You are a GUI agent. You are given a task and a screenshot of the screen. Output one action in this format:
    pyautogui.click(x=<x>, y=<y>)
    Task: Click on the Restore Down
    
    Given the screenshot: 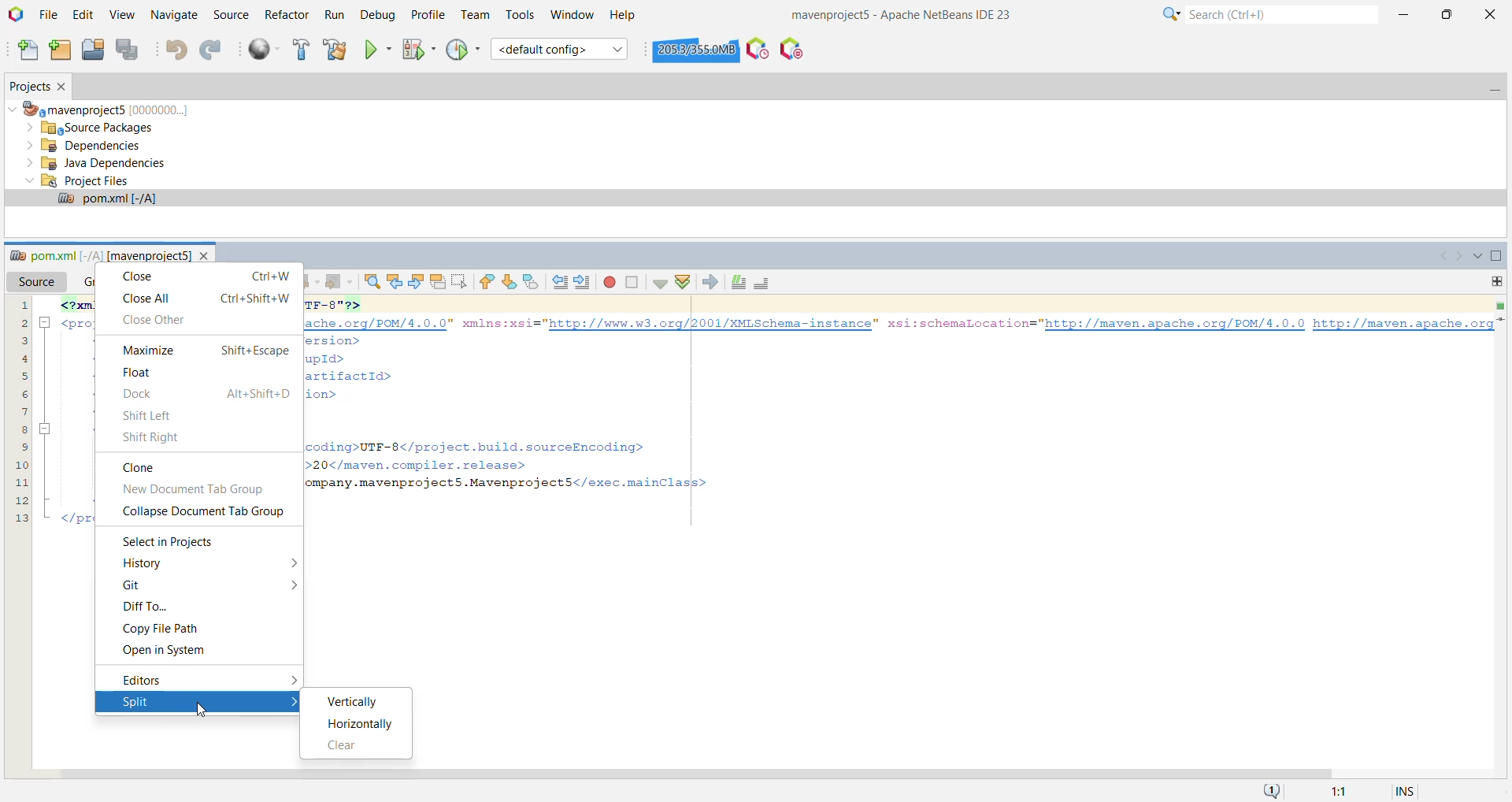 What is the action you would take?
    pyautogui.click(x=1446, y=13)
    